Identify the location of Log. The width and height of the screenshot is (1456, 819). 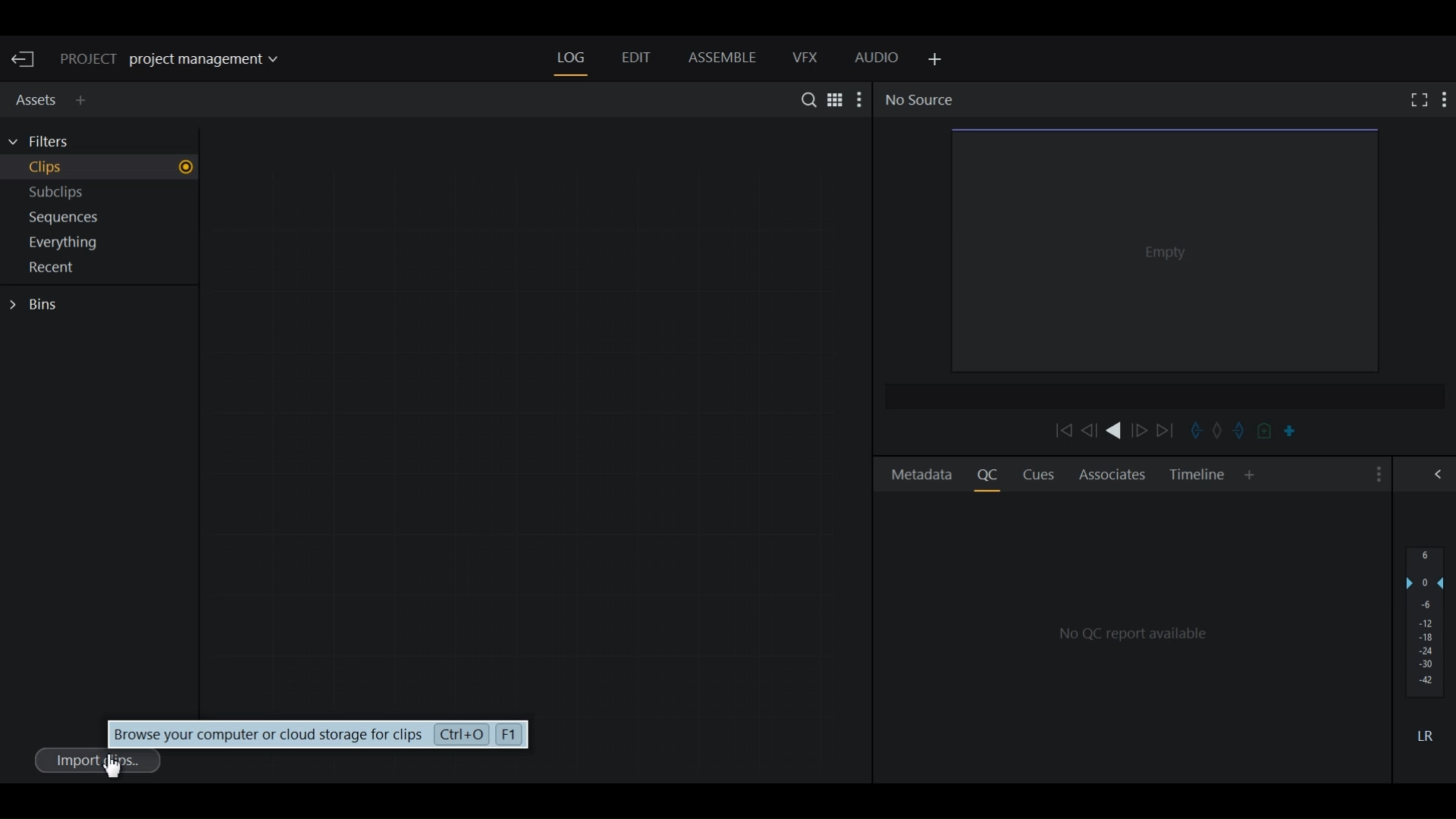
(571, 58).